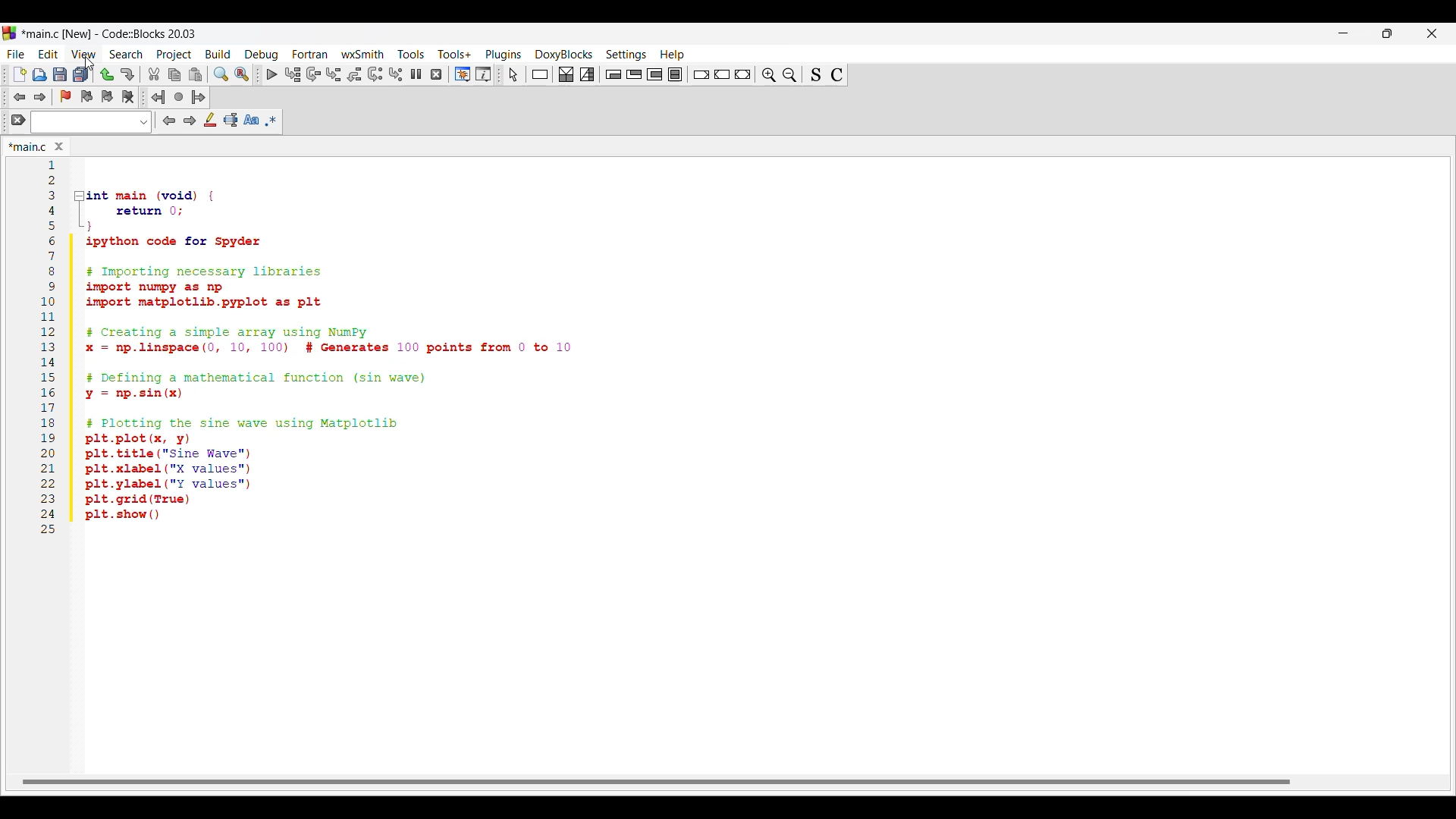 Image resolution: width=1456 pixels, height=819 pixels. I want to click on Find, so click(221, 74).